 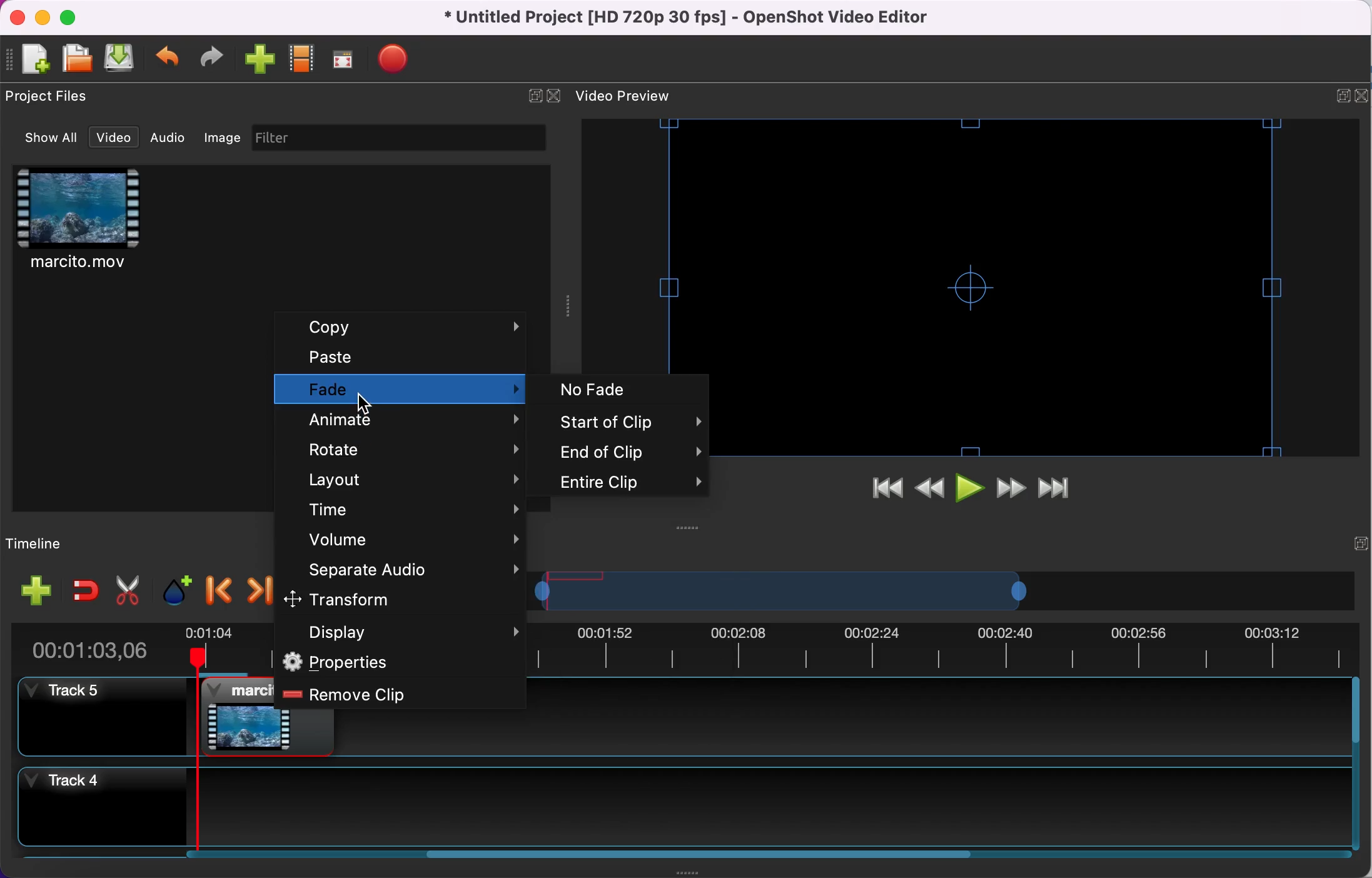 I want to click on volume, so click(x=407, y=540).